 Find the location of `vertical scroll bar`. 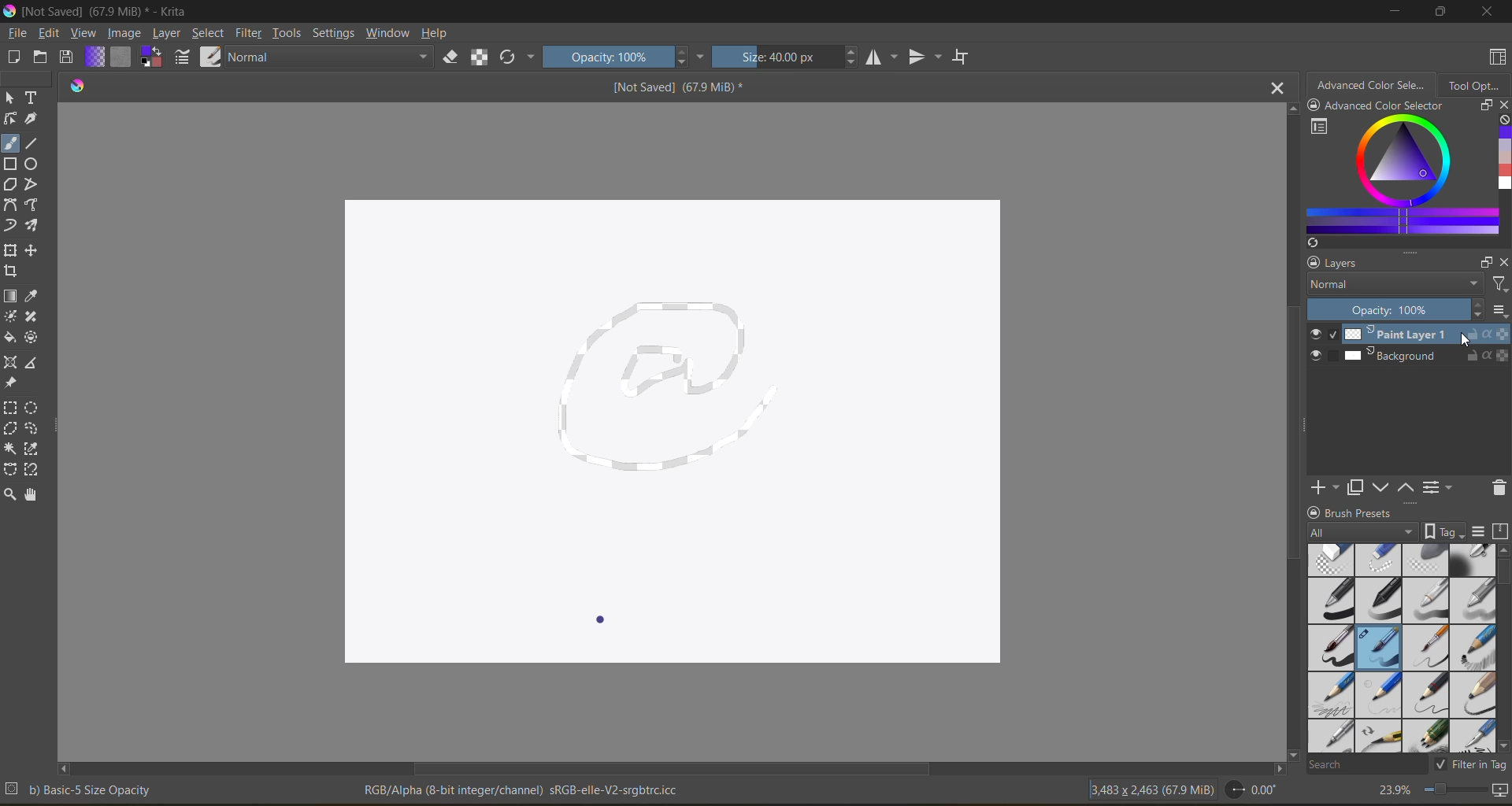

vertical scroll bar is located at coordinates (1503, 575).